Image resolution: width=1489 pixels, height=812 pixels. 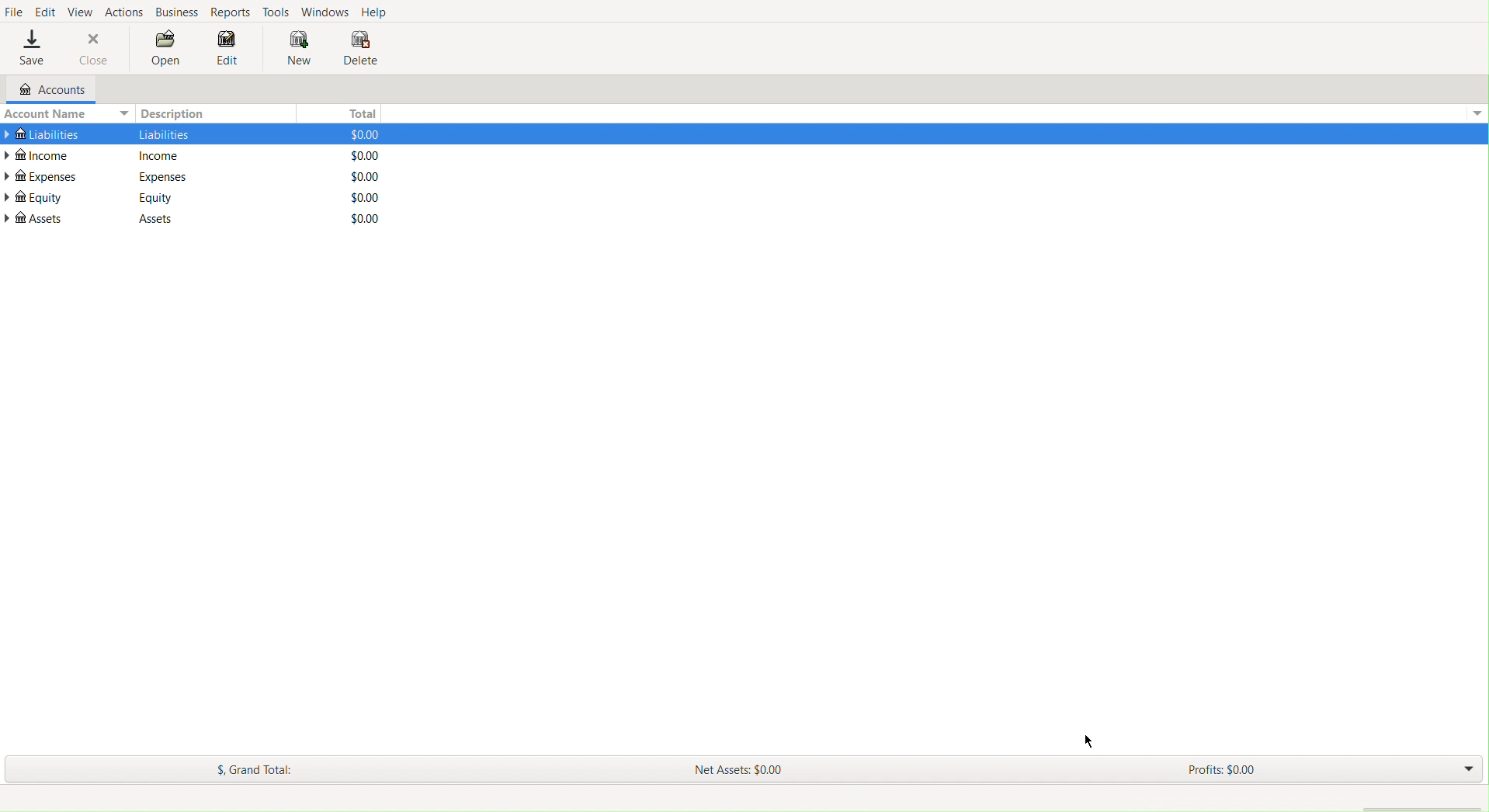 I want to click on Assets, so click(x=148, y=219).